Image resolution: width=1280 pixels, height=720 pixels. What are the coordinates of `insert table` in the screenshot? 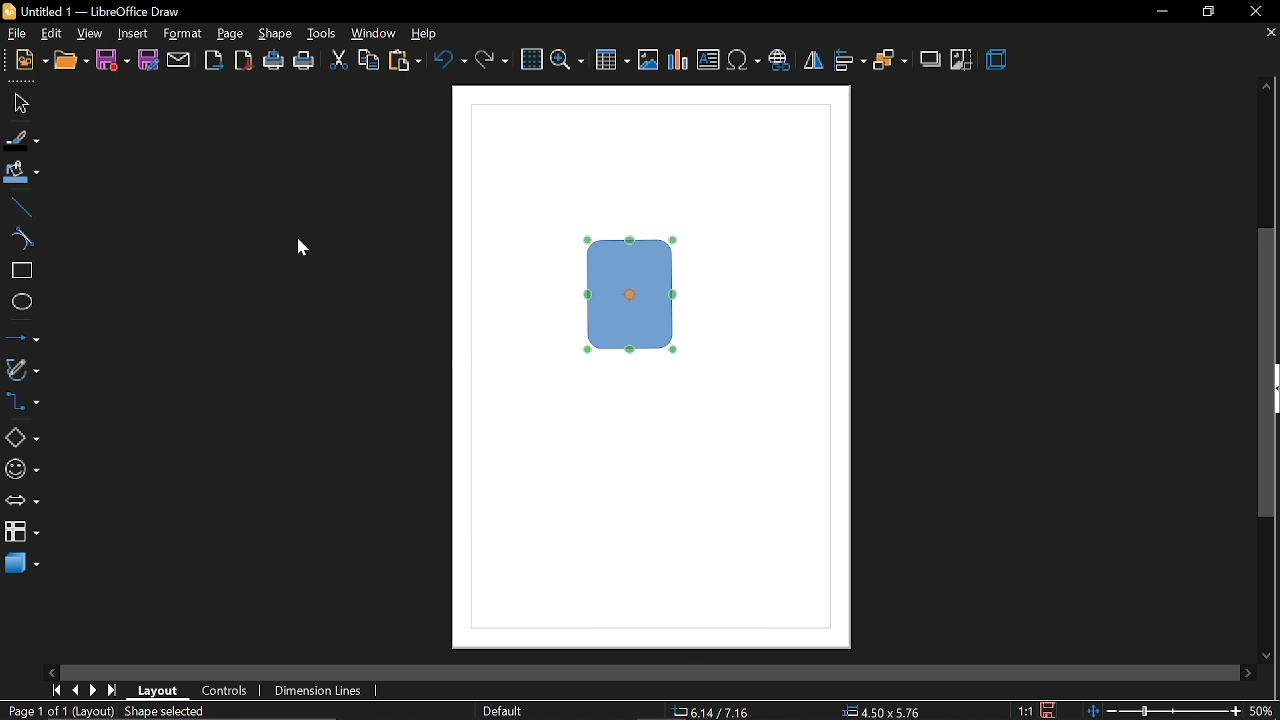 It's located at (611, 61).